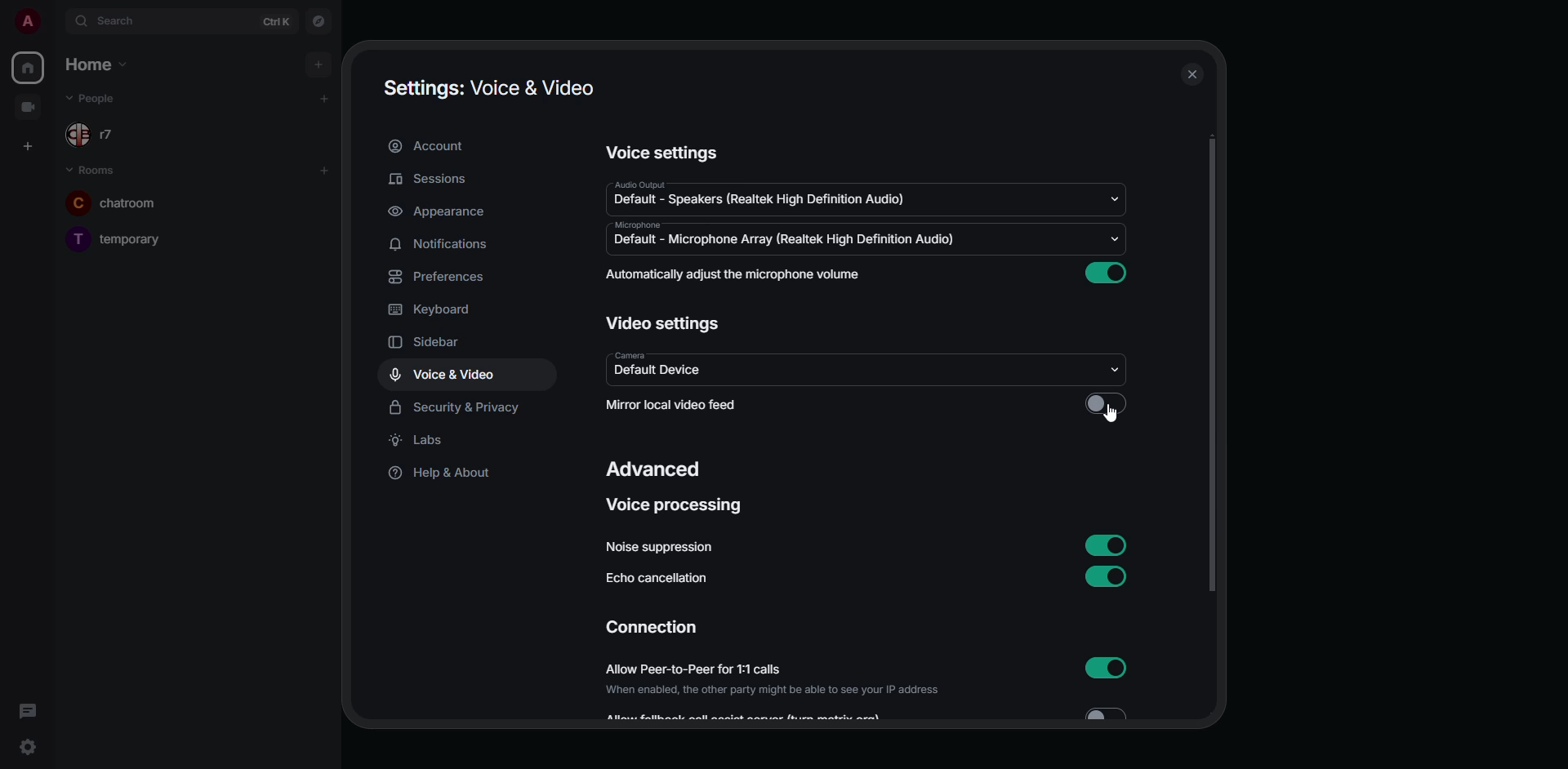 The width and height of the screenshot is (1568, 769). I want to click on default, so click(660, 371).